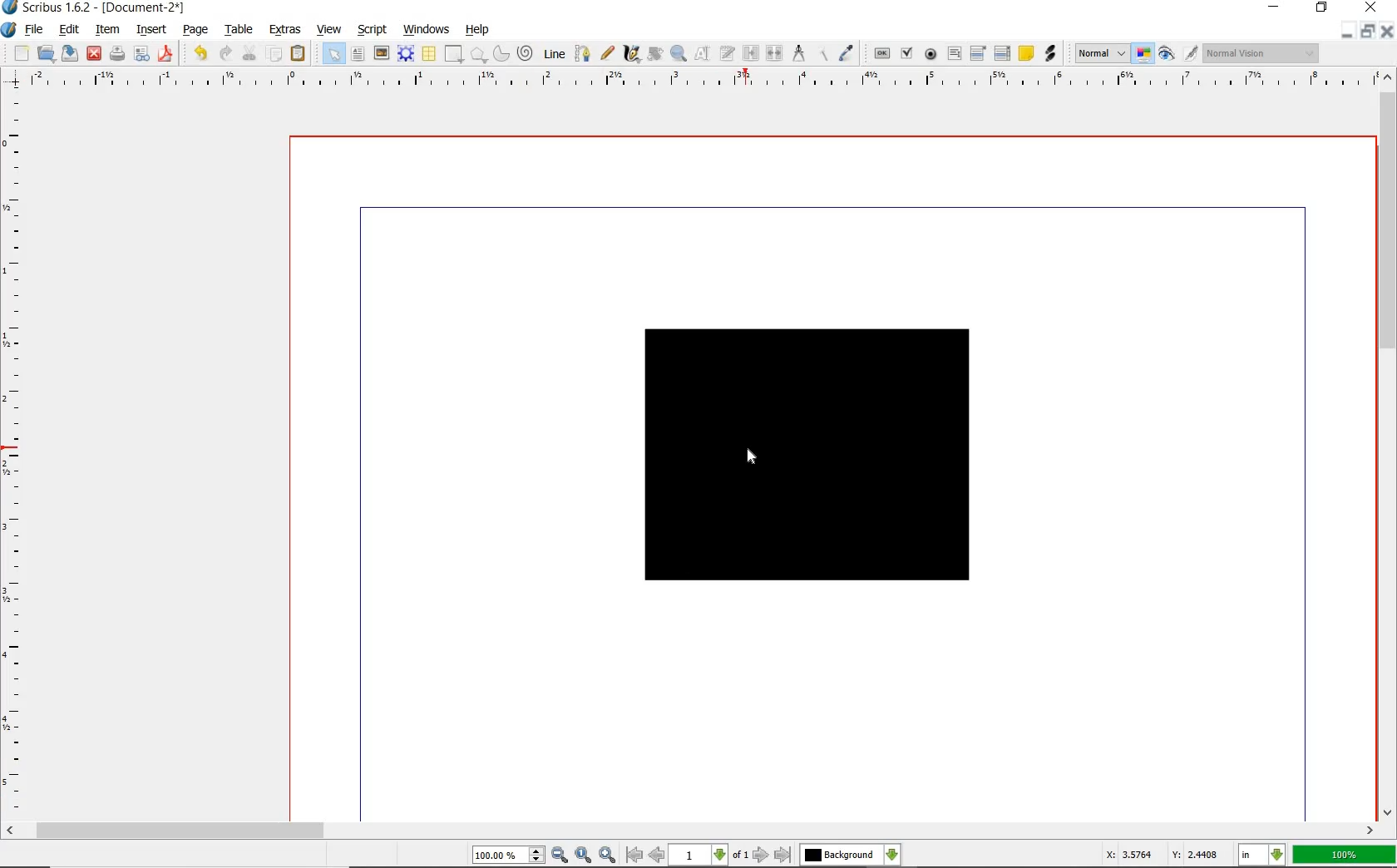 This screenshot has width=1397, height=868. What do you see at coordinates (906, 54) in the screenshot?
I see `pdf check box` at bounding box center [906, 54].